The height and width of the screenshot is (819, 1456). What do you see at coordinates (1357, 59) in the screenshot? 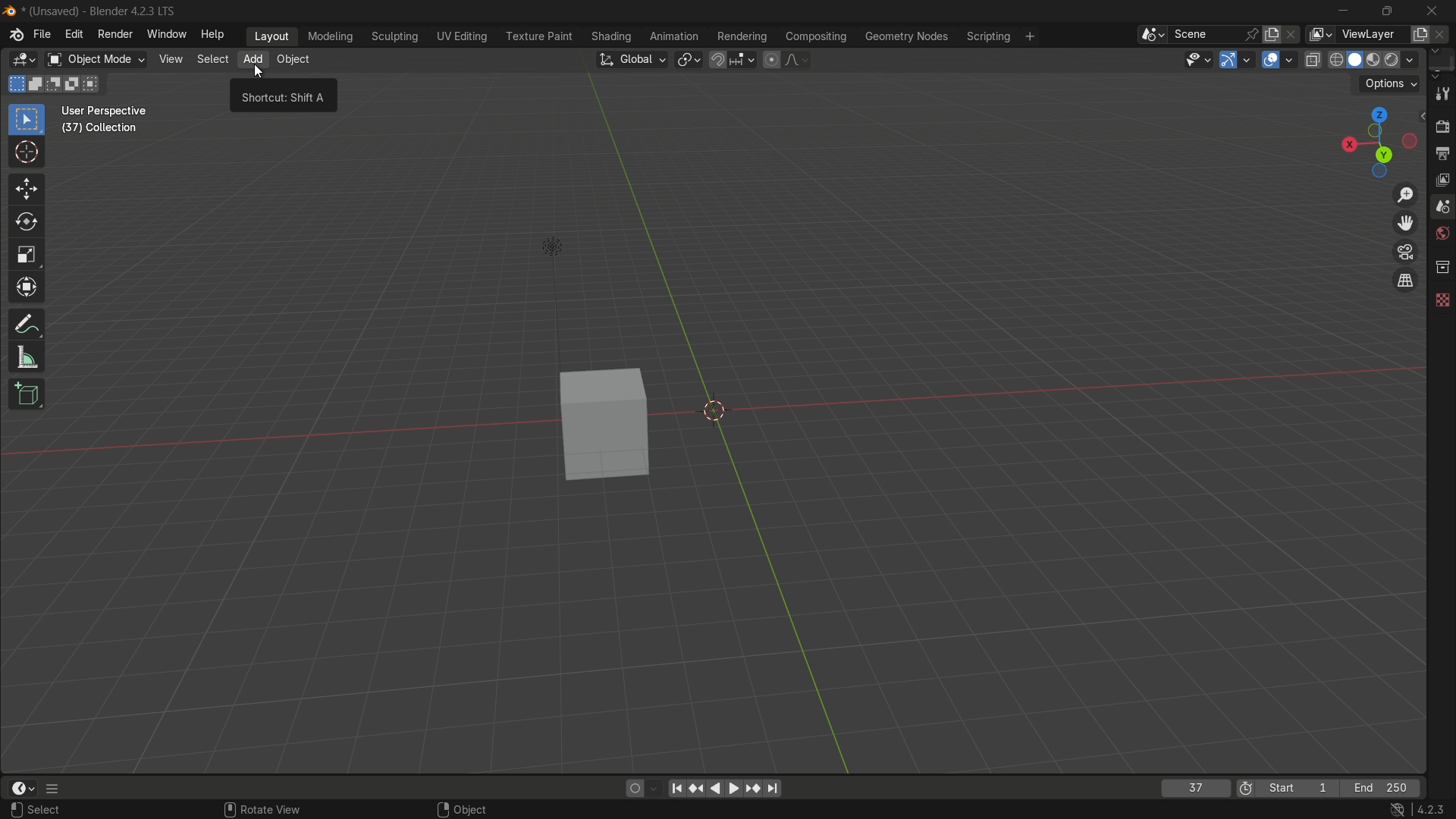
I see `solid` at bounding box center [1357, 59].